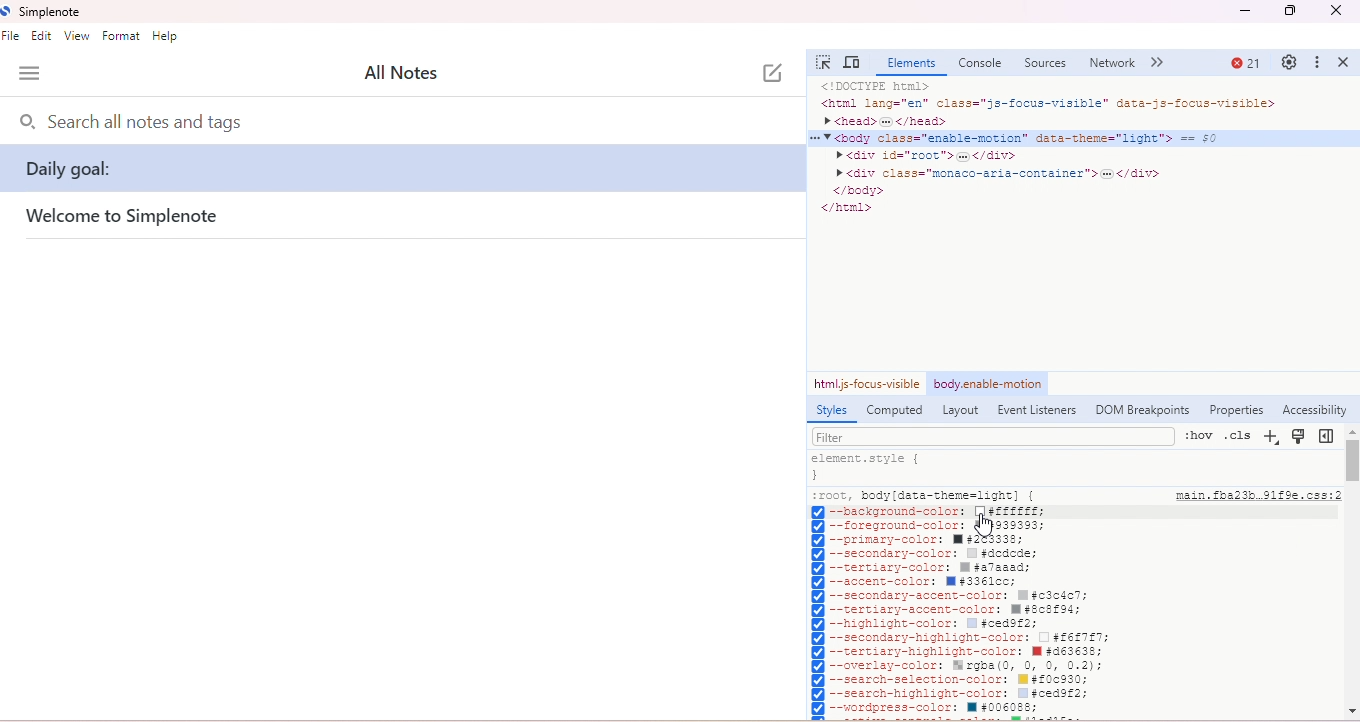  Describe the element at coordinates (1047, 64) in the screenshot. I see `sources` at that location.